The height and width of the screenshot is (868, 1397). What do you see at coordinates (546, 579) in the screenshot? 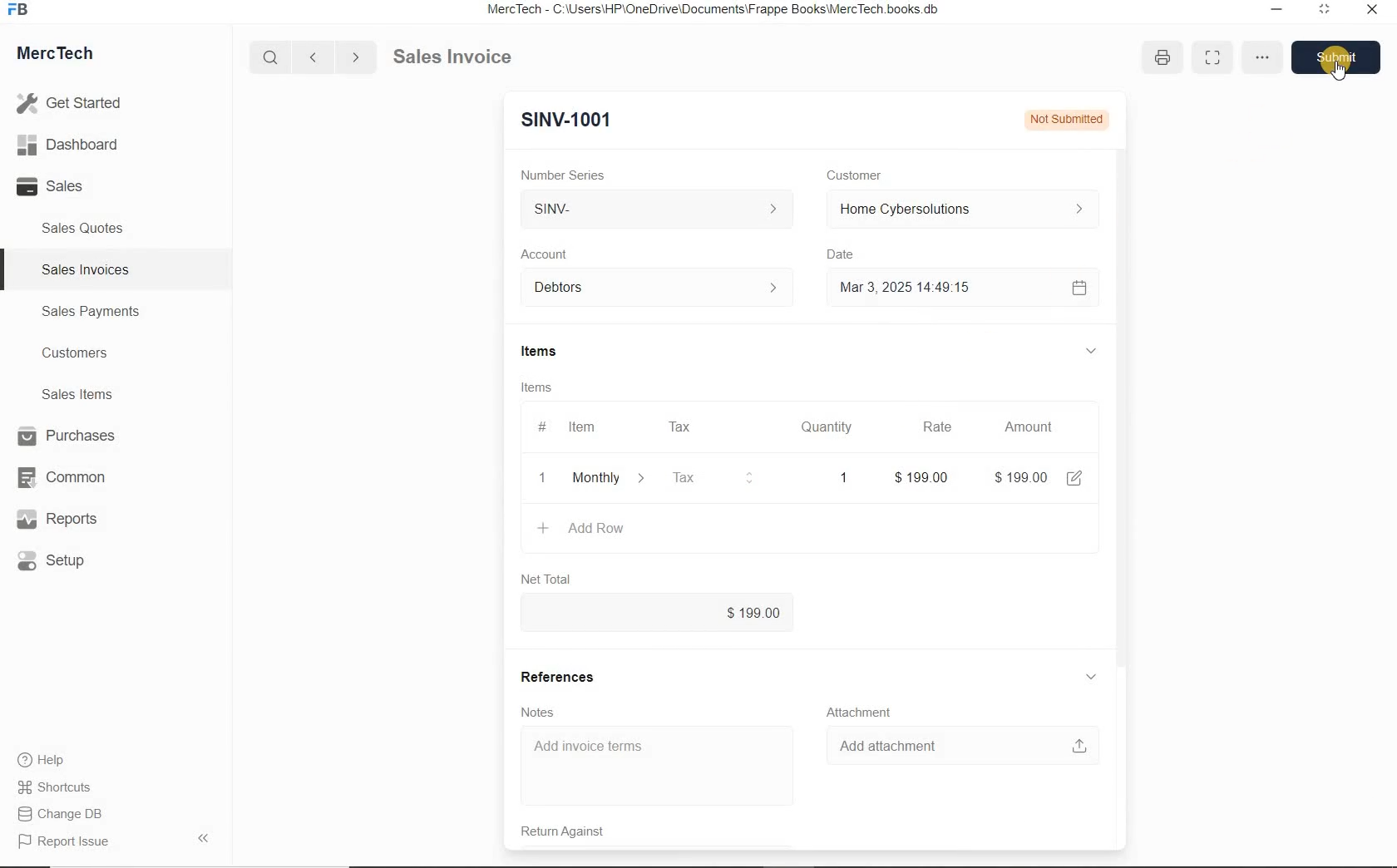
I see `Net Total` at bounding box center [546, 579].